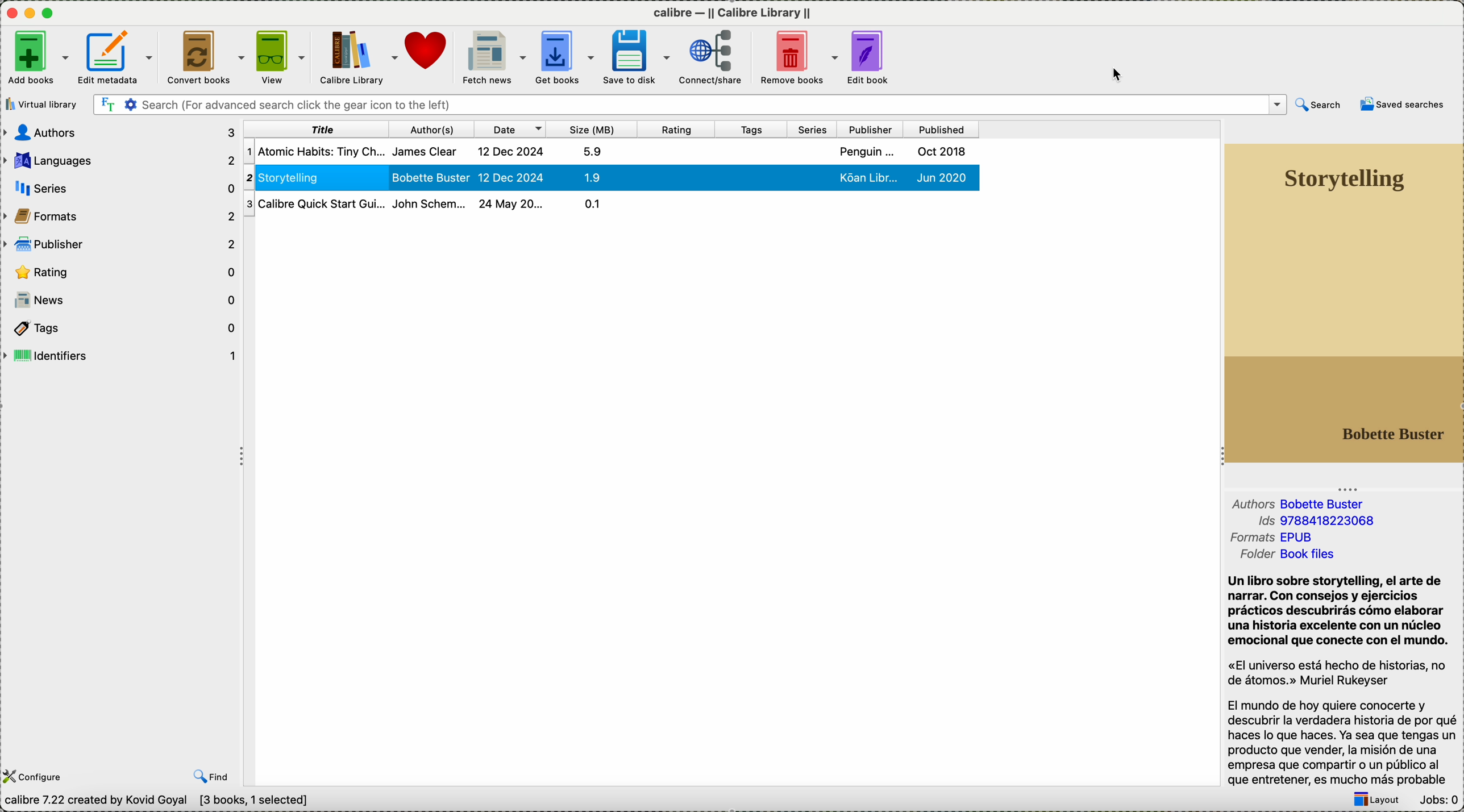 This screenshot has height=812, width=1464. I want to click on formats, so click(1302, 522).